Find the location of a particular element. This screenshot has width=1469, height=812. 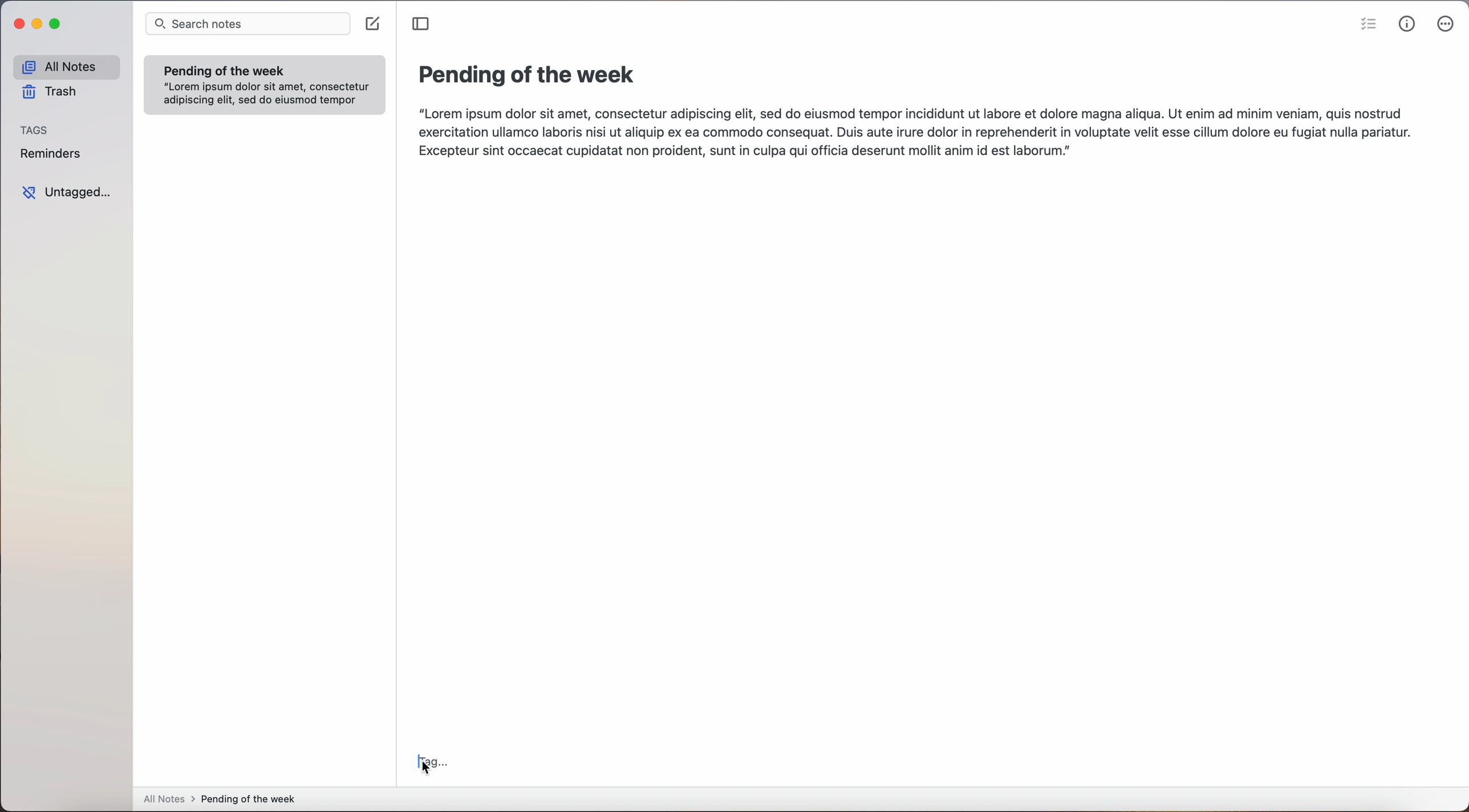

typing cursor is located at coordinates (420, 761).